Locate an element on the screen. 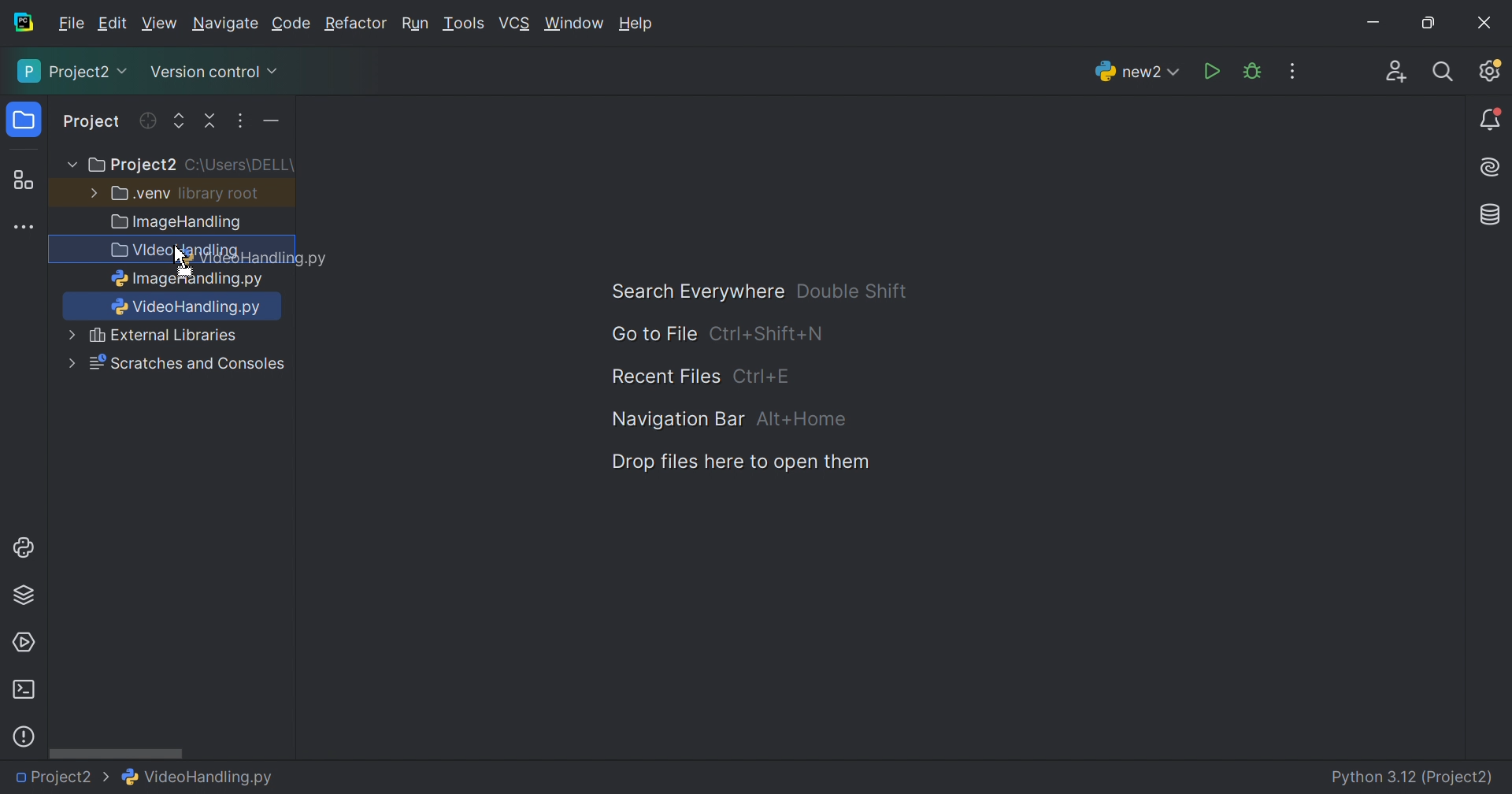 This screenshot has width=1512, height=794. External Libraries is located at coordinates (165, 336).